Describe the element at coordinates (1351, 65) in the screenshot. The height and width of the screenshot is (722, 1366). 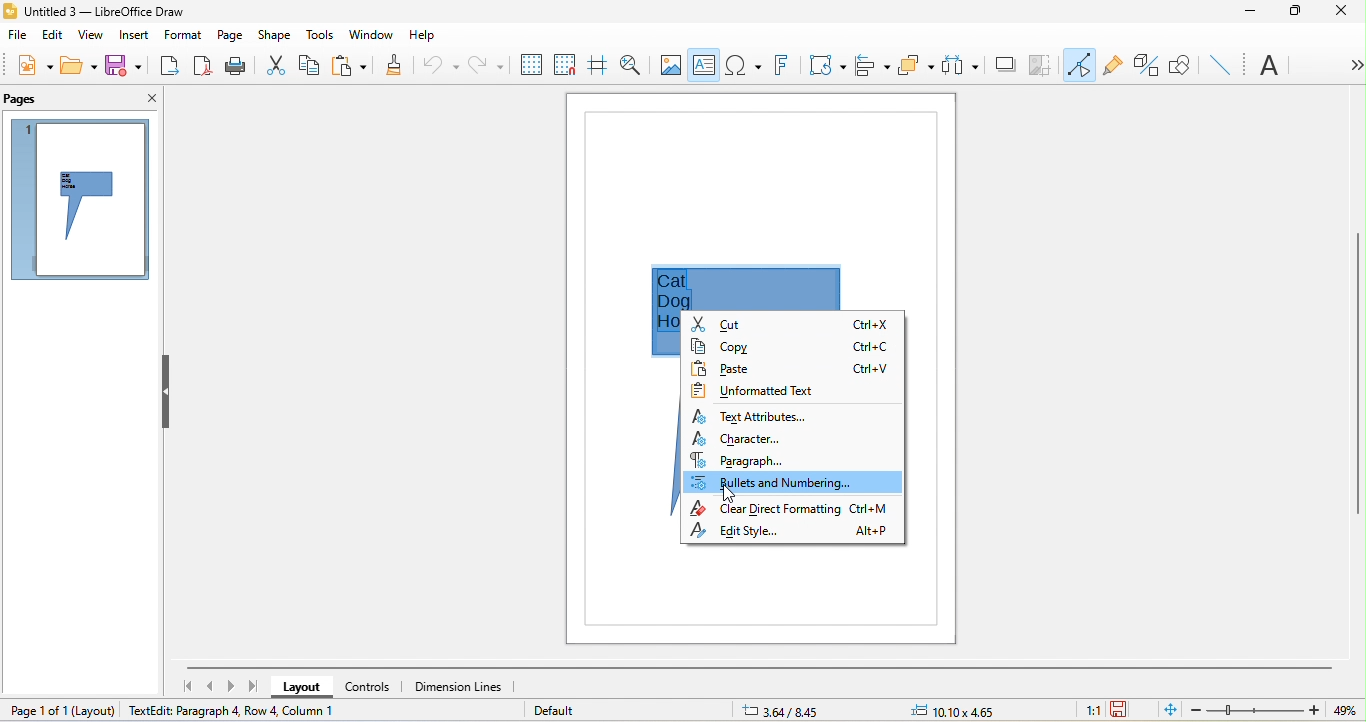
I see `option` at that location.